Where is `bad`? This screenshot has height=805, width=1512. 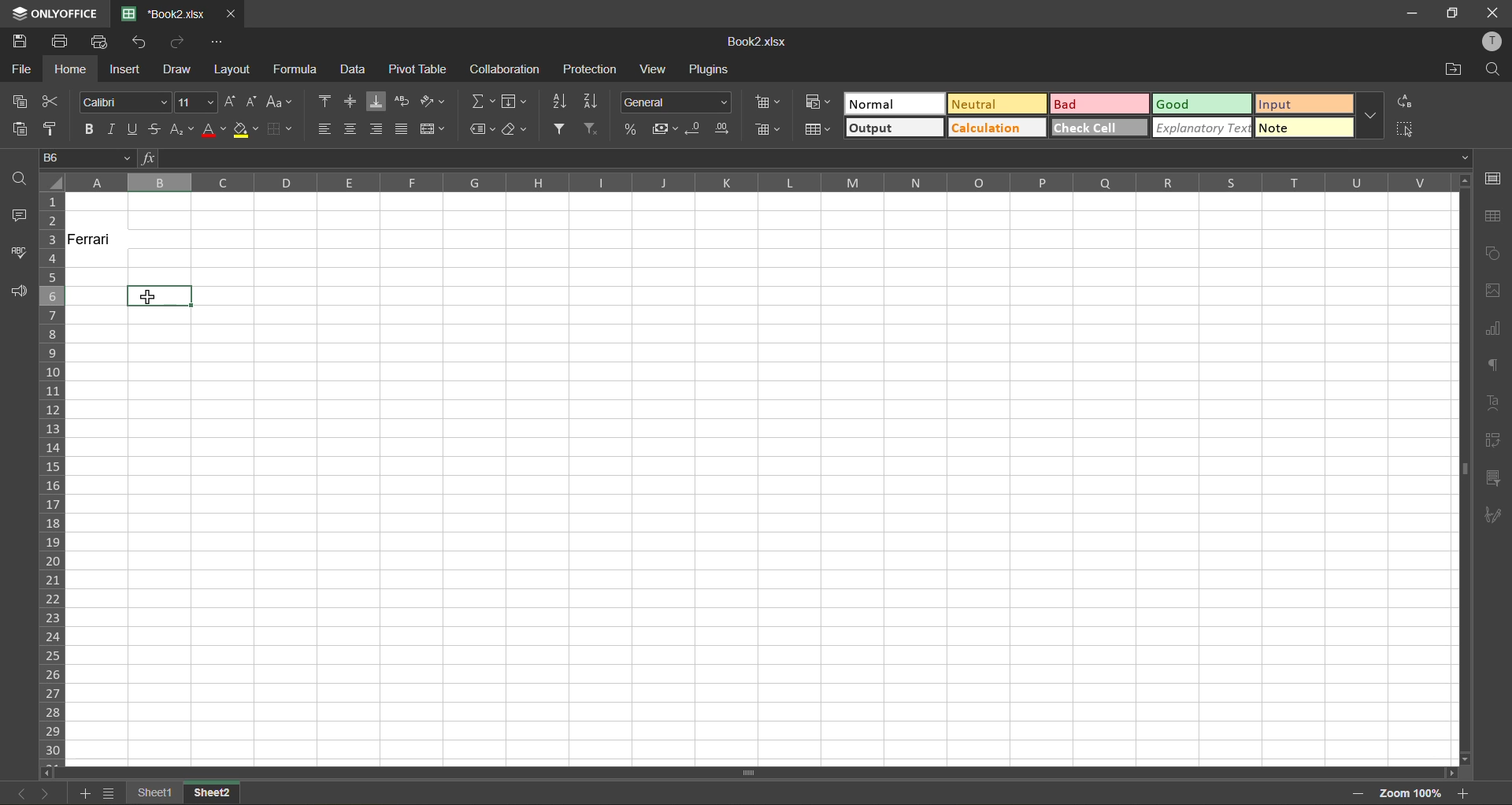
bad is located at coordinates (1100, 104).